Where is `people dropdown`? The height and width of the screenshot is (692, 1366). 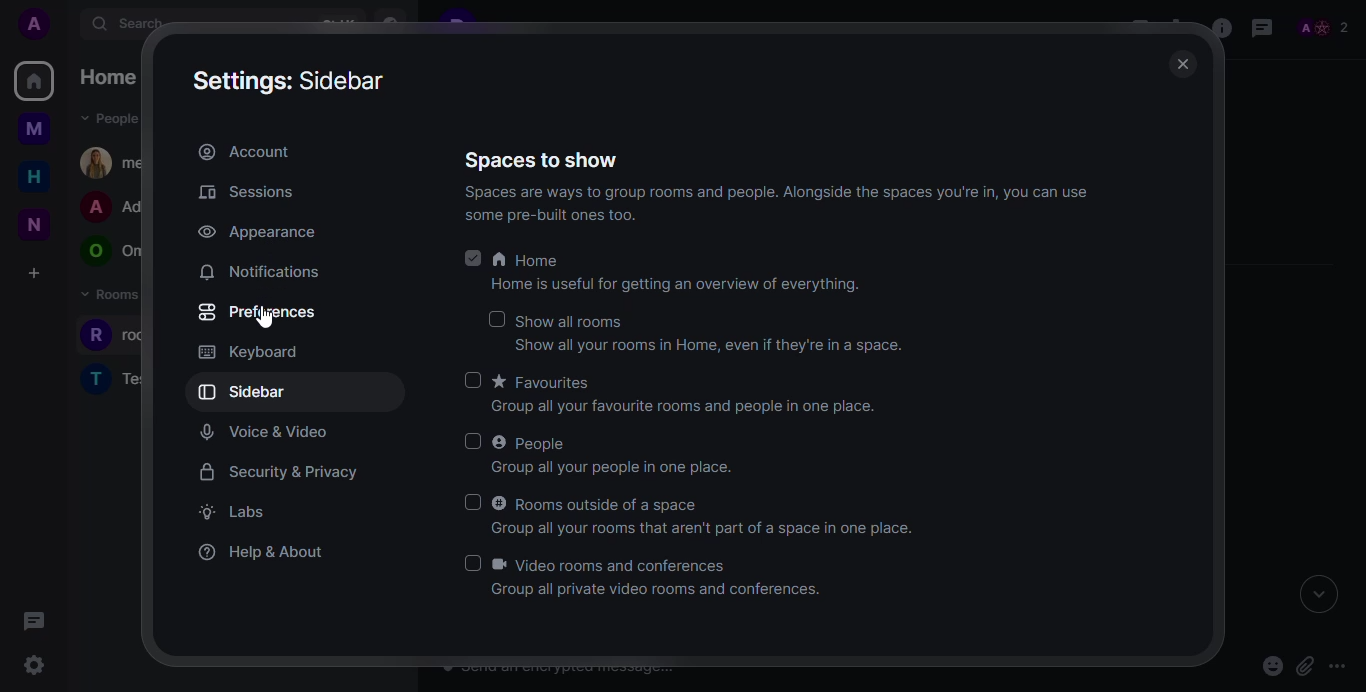
people dropdown is located at coordinates (113, 119).